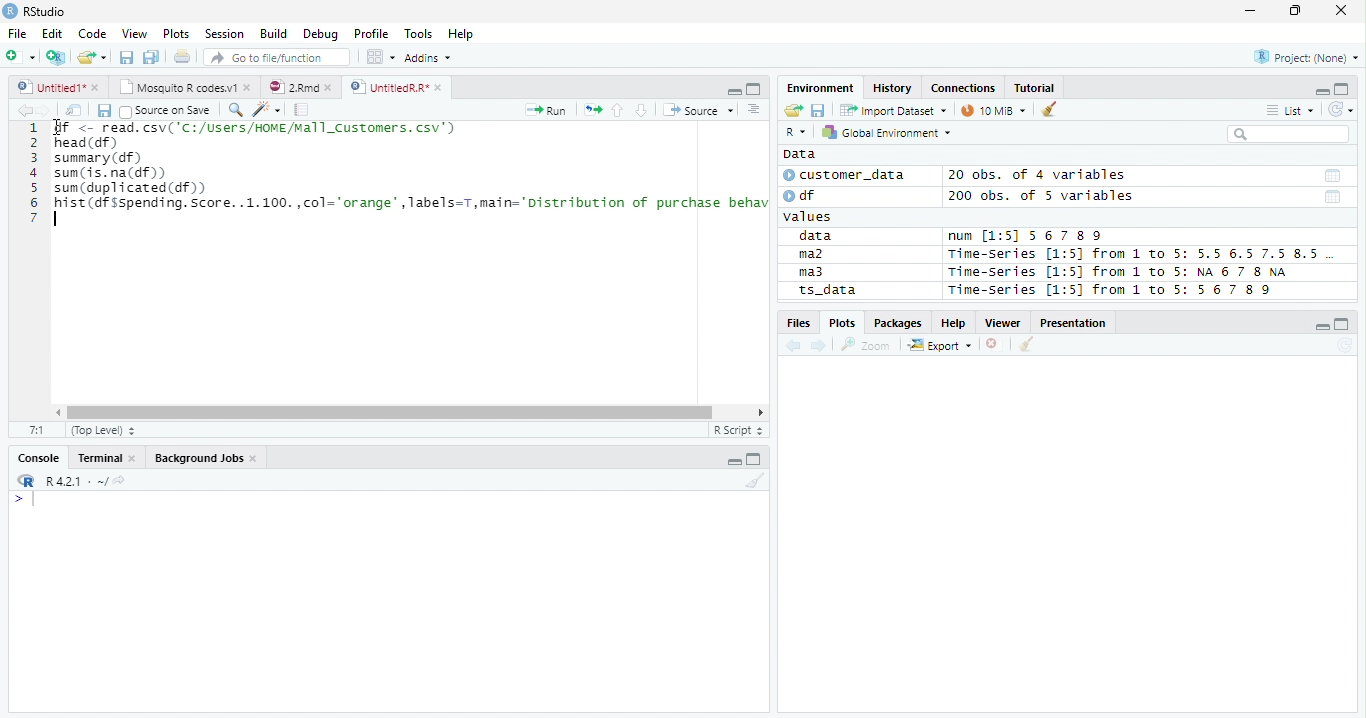  Describe the element at coordinates (641, 111) in the screenshot. I see `Down` at that location.